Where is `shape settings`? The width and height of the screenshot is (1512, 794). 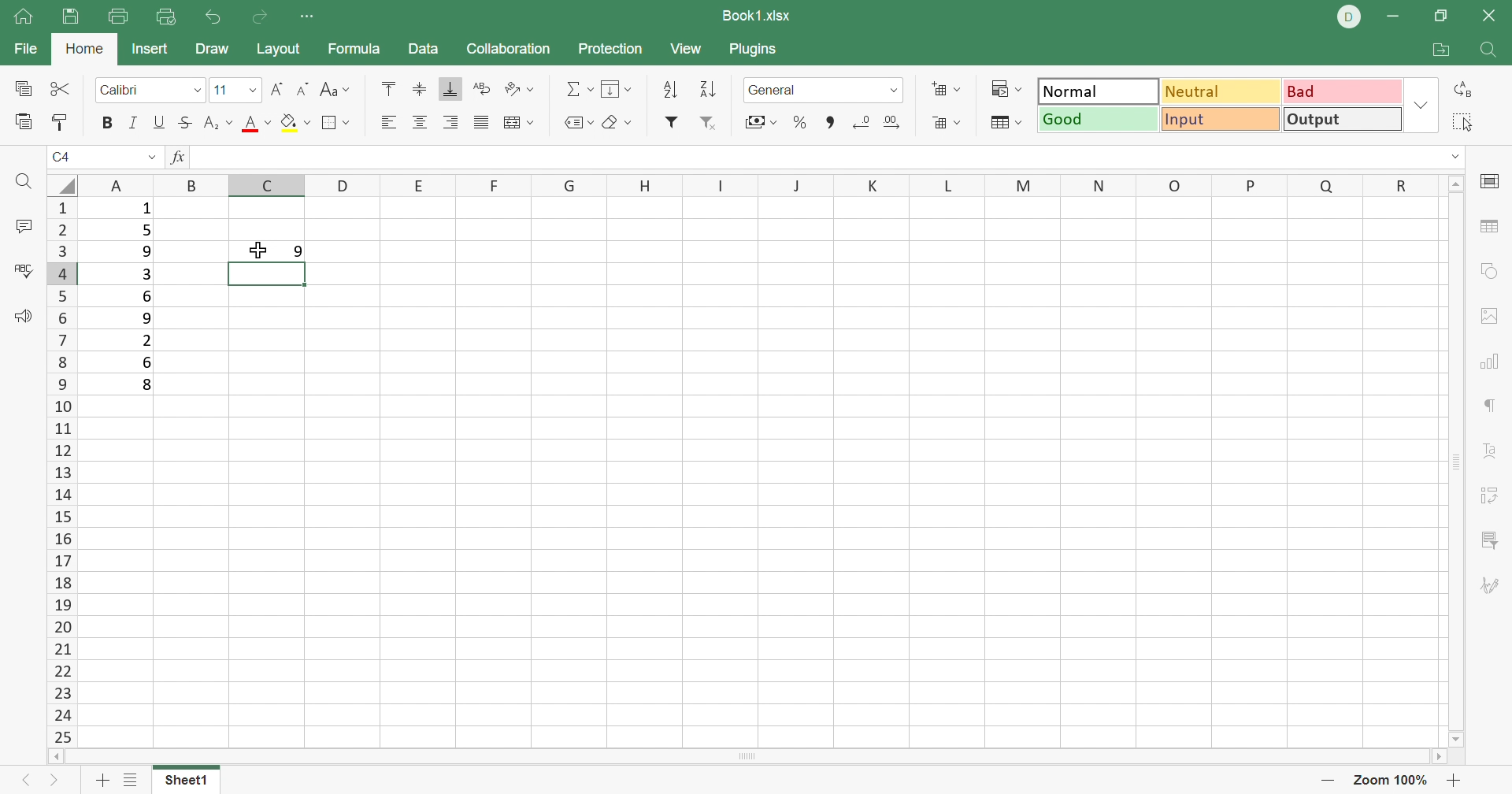 shape settings is located at coordinates (1495, 269).